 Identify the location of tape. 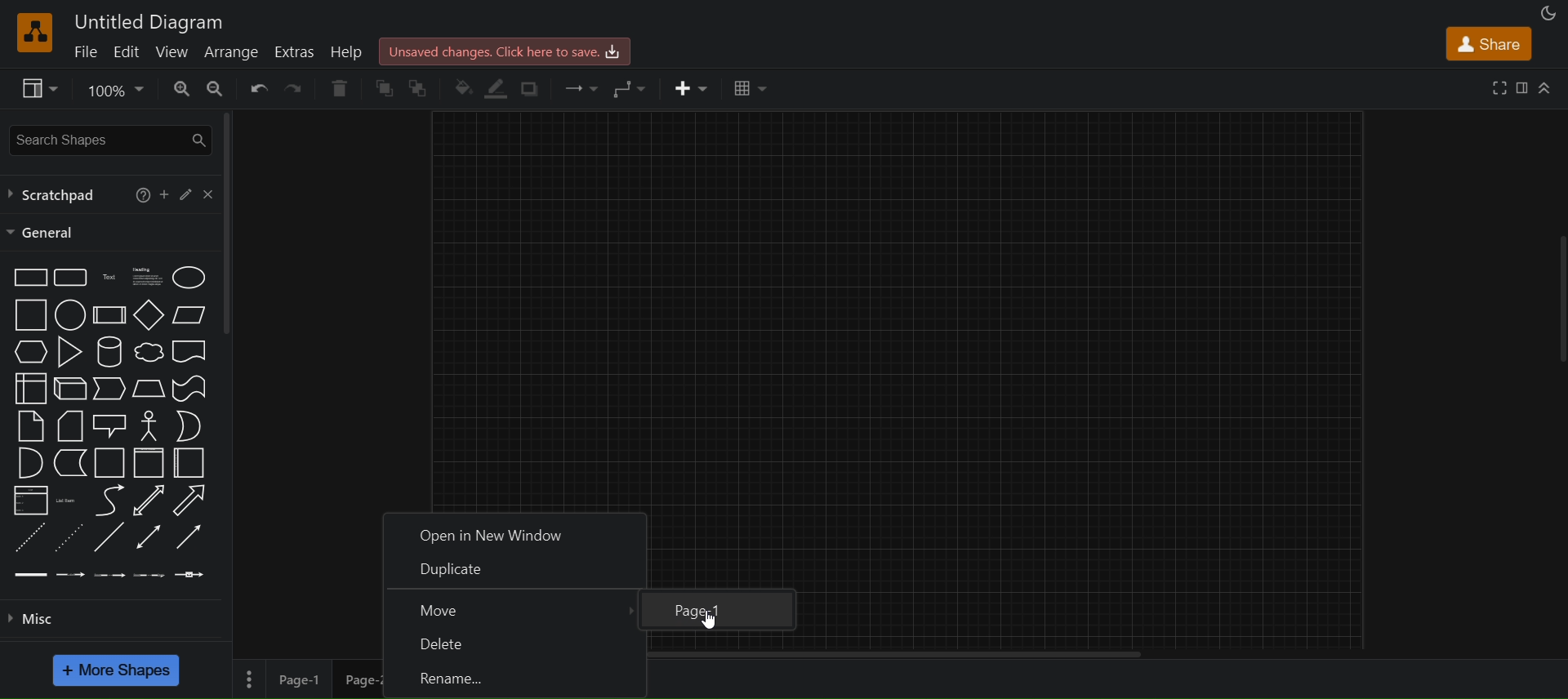
(189, 388).